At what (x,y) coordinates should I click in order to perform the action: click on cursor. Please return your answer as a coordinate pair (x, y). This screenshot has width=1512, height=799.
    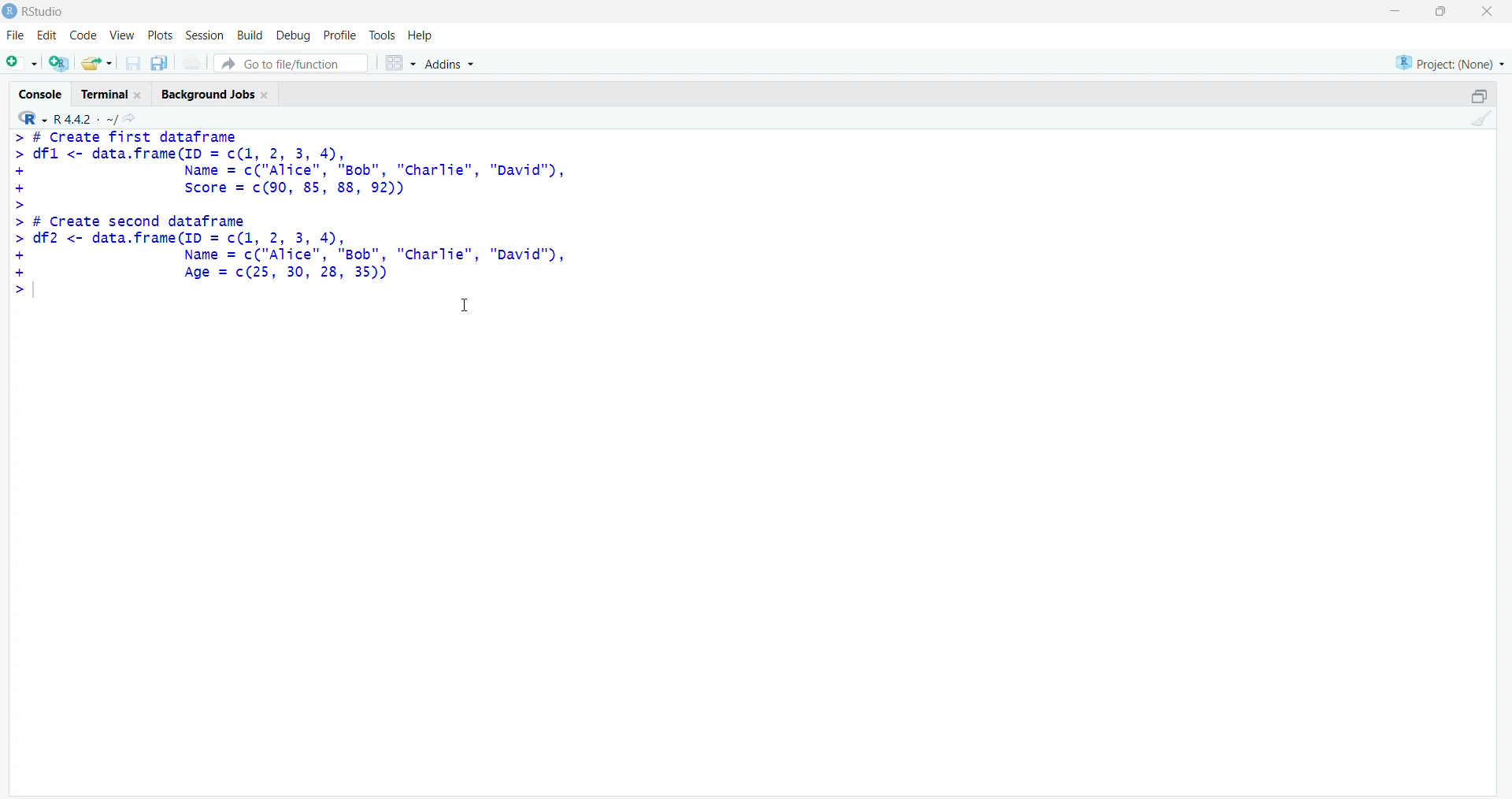
    Looking at the image, I should click on (465, 305).